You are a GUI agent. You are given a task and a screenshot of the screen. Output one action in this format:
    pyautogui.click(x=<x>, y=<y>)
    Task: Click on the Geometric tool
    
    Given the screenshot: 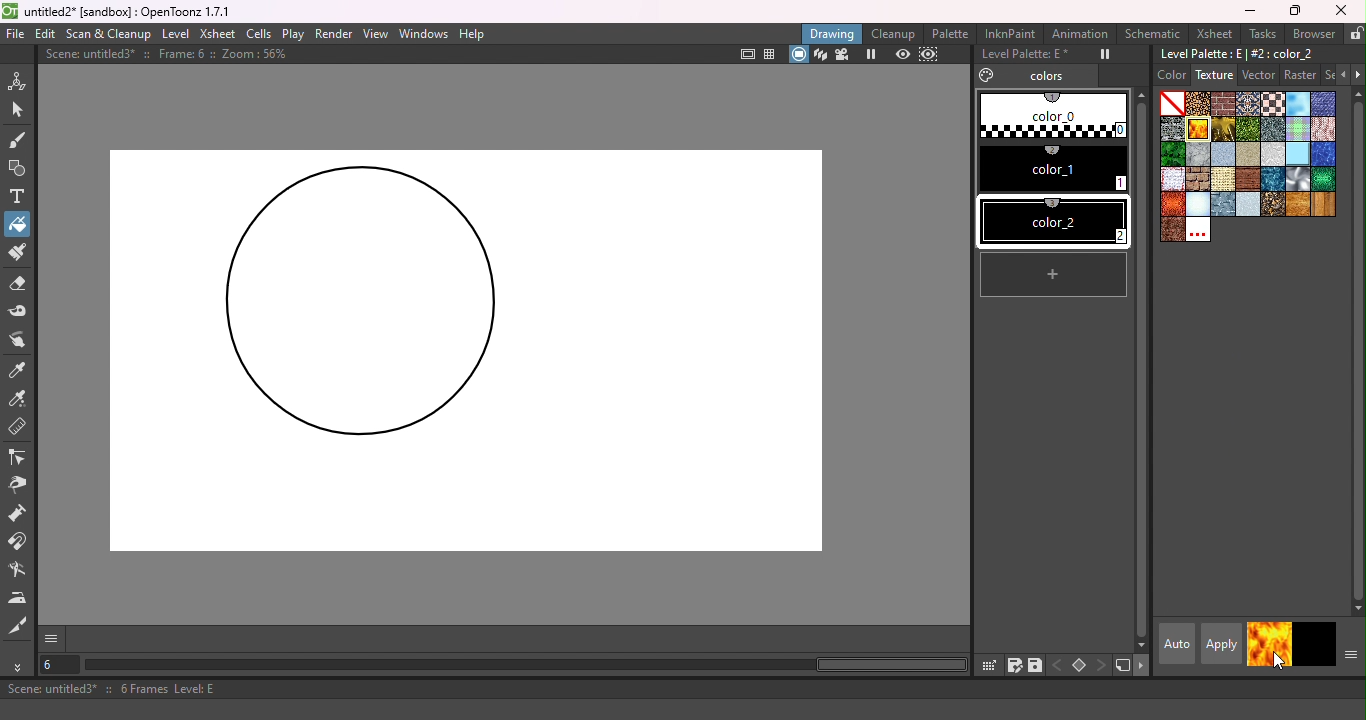 What is the action you would take?
    pyautogui.click(x=19, y=168)
    